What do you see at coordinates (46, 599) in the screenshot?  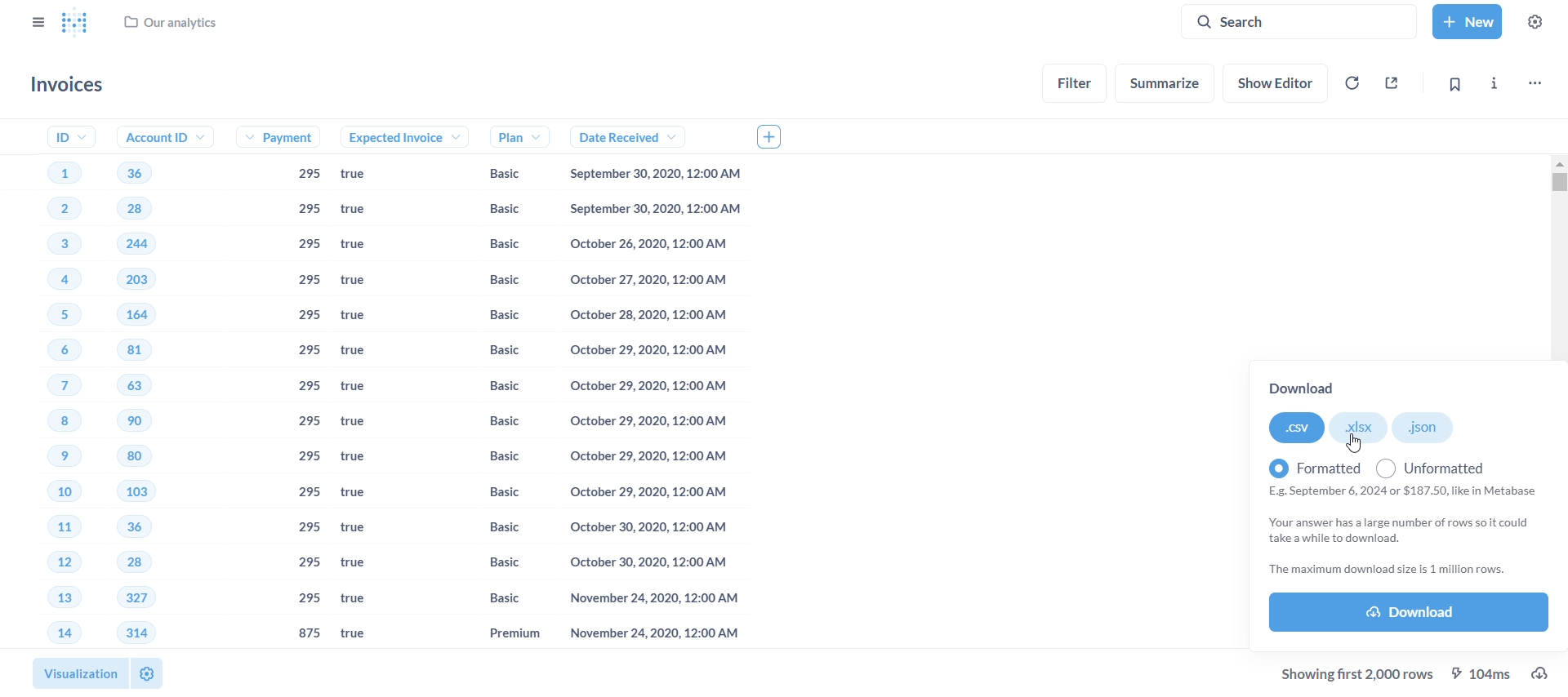 I see `13` at bounding box center [46, 599].